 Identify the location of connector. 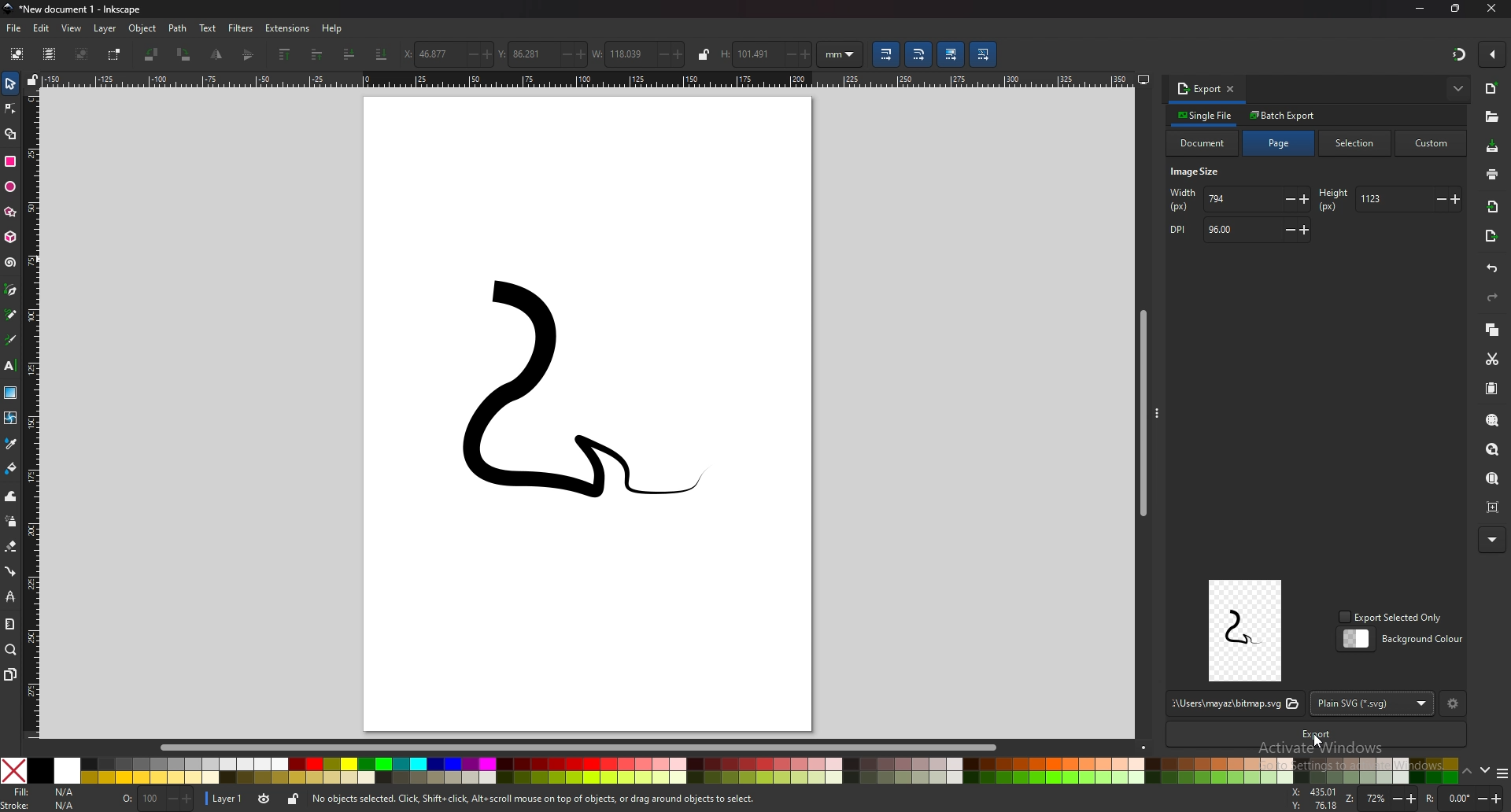
(10, 570).